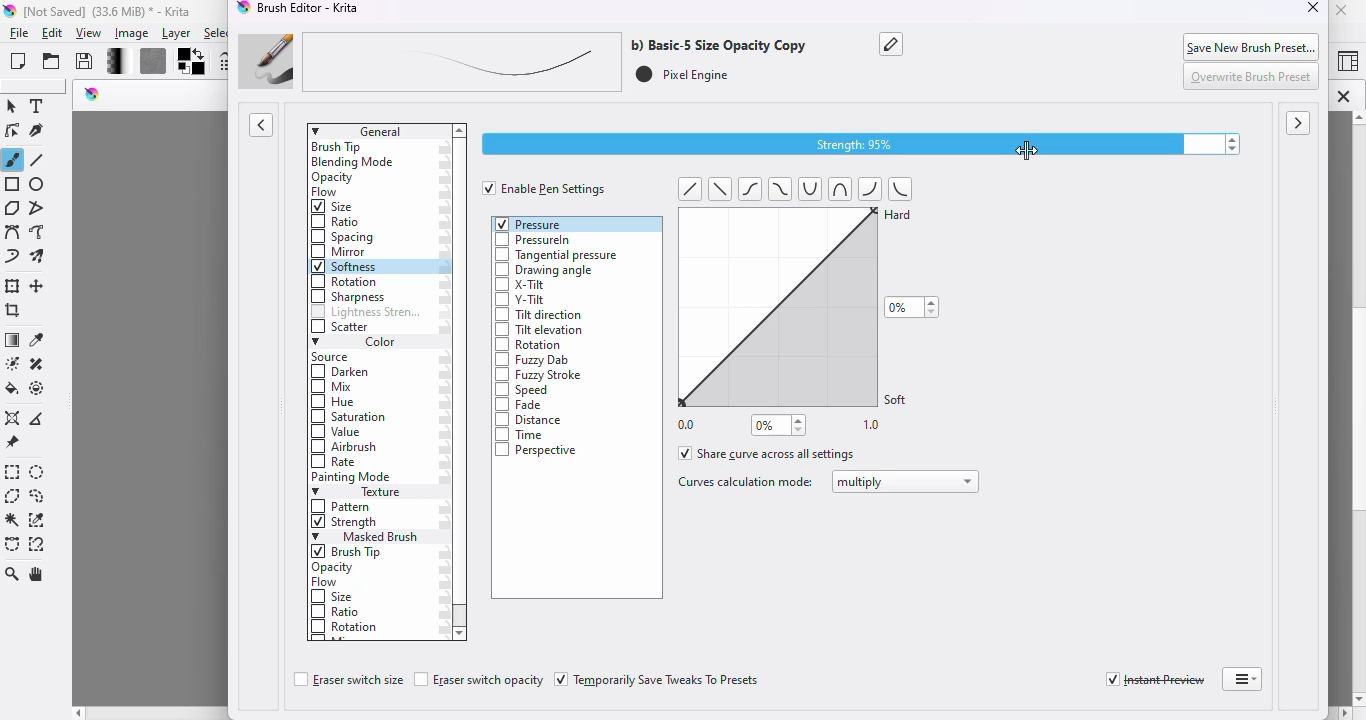 This screenshot has height=720, width=1366. I want to click on cursor, so click(1026, 153).